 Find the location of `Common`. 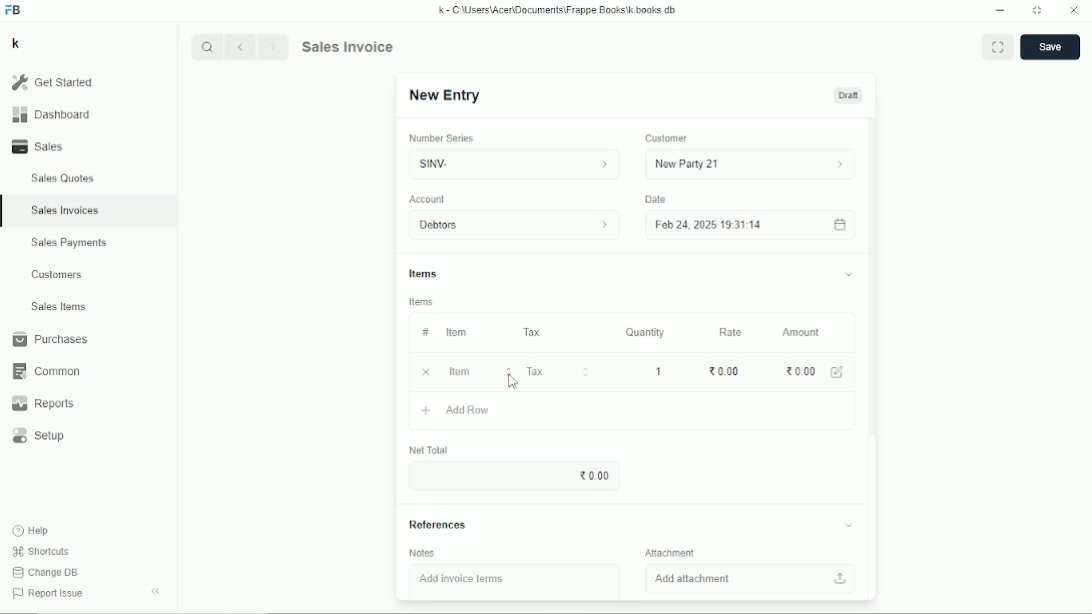

Common is located at coordinates (44, 371).